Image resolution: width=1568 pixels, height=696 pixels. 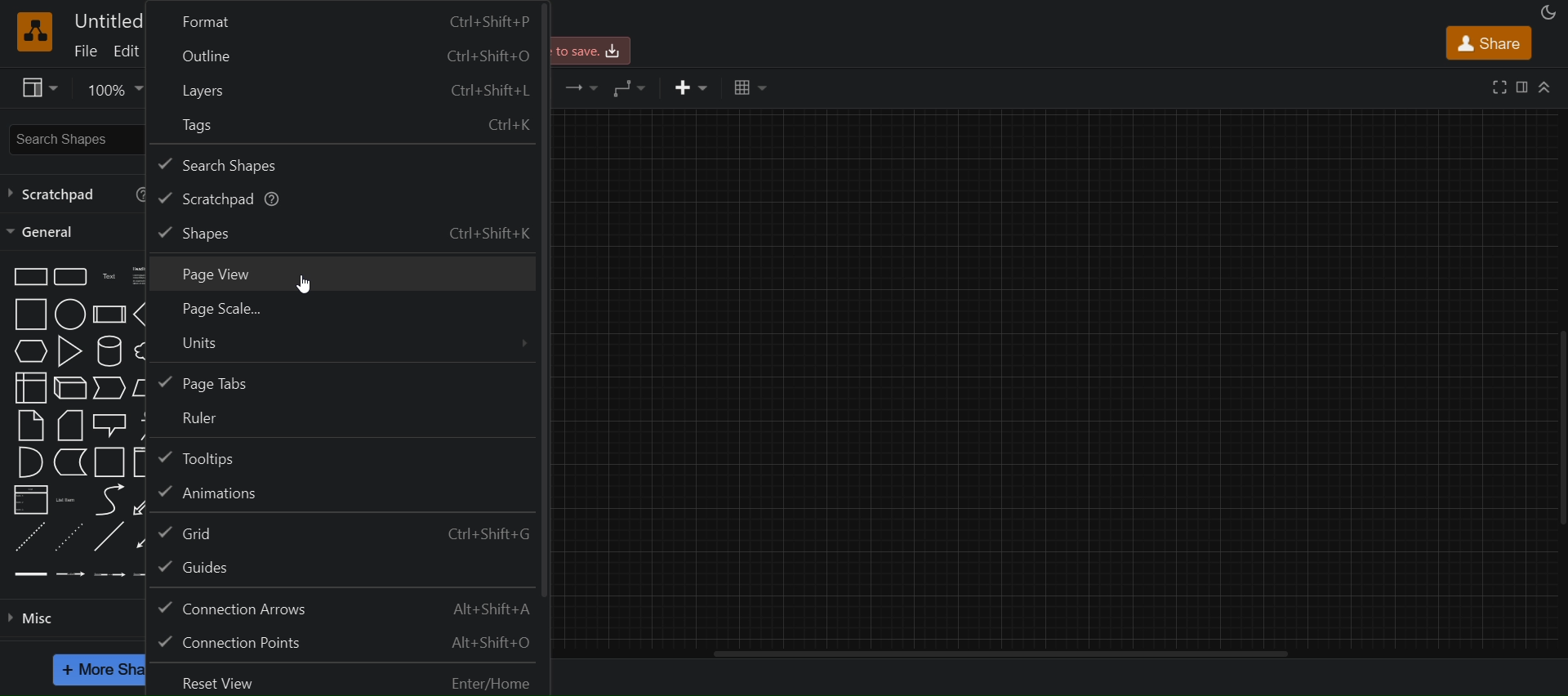 What do you see at coordinates (71, 621) in the screenshot?
I see `misc` at bounding box center [71, 621].